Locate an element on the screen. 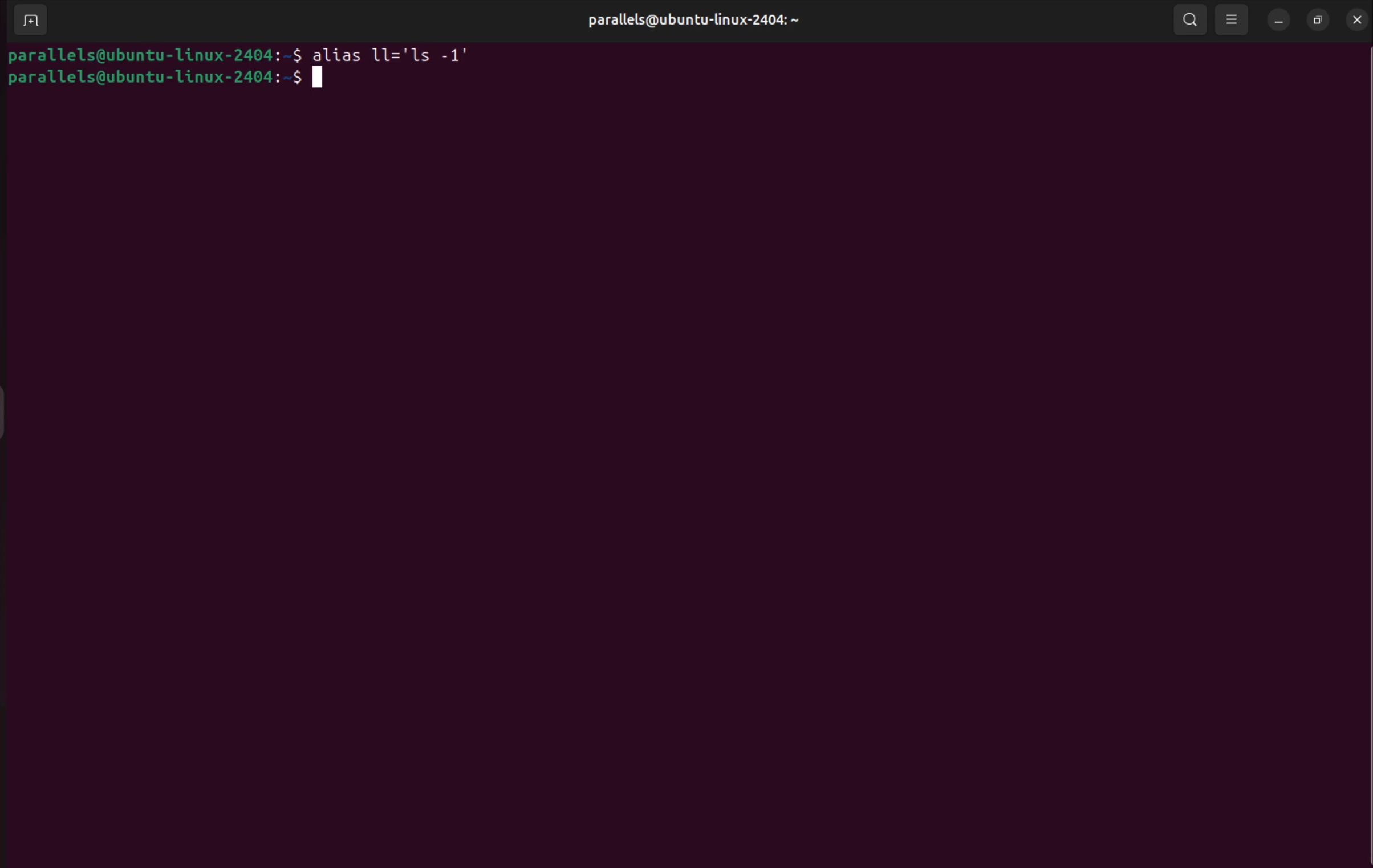  parallels is located at coordinates (683, 17).